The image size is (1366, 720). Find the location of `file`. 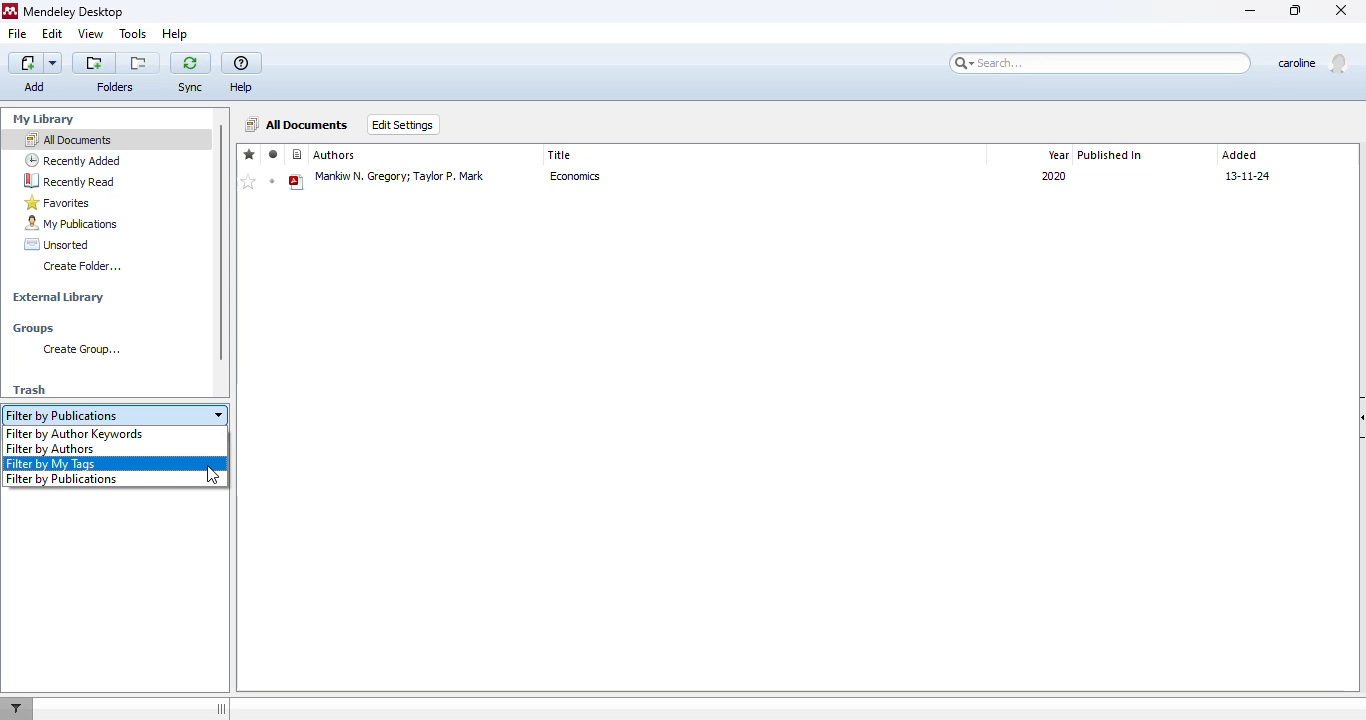

file is located at coordinates (18, 33).